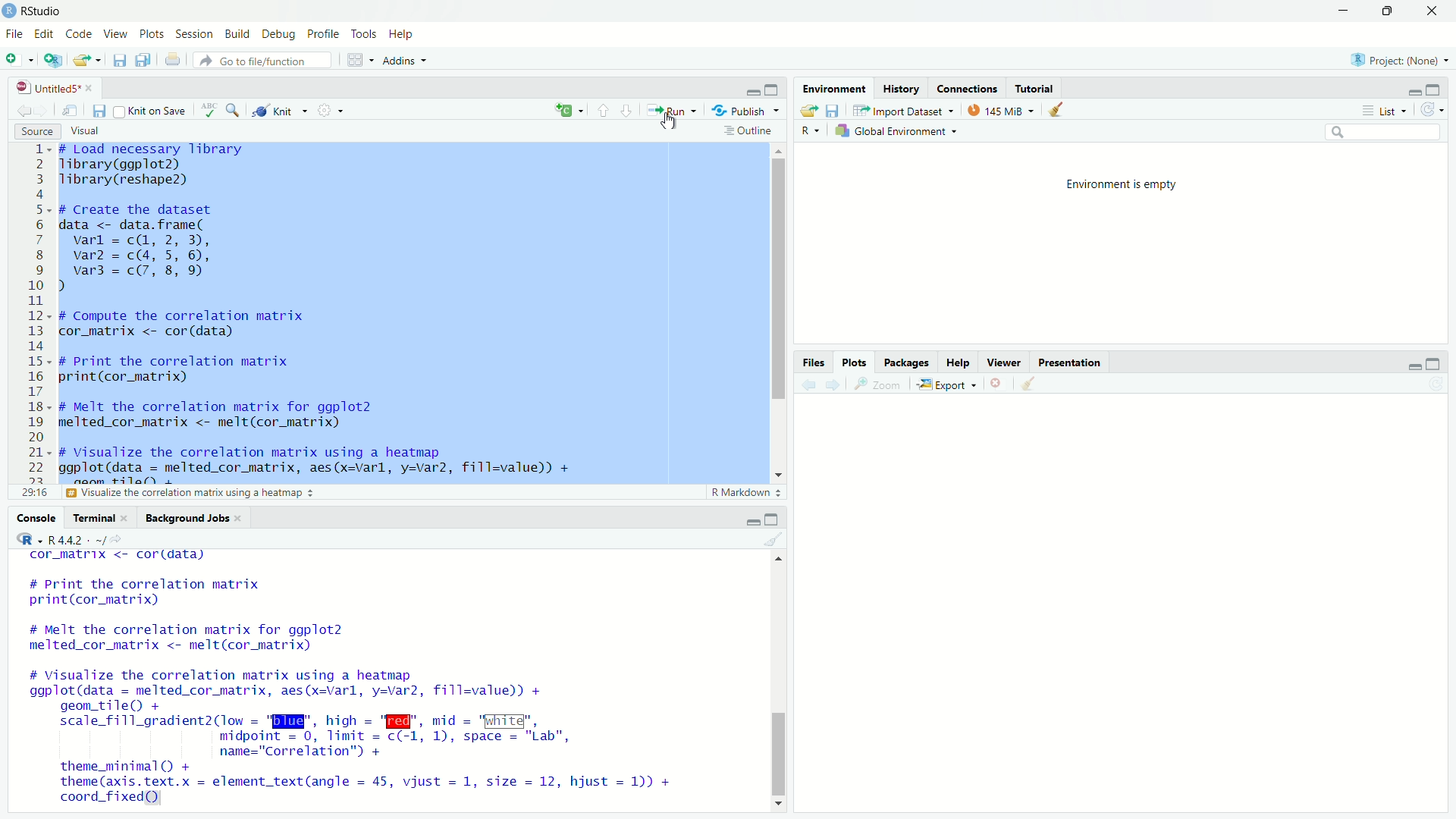 The image size is (1456, 819). I want to click on code, so click(80, 34).